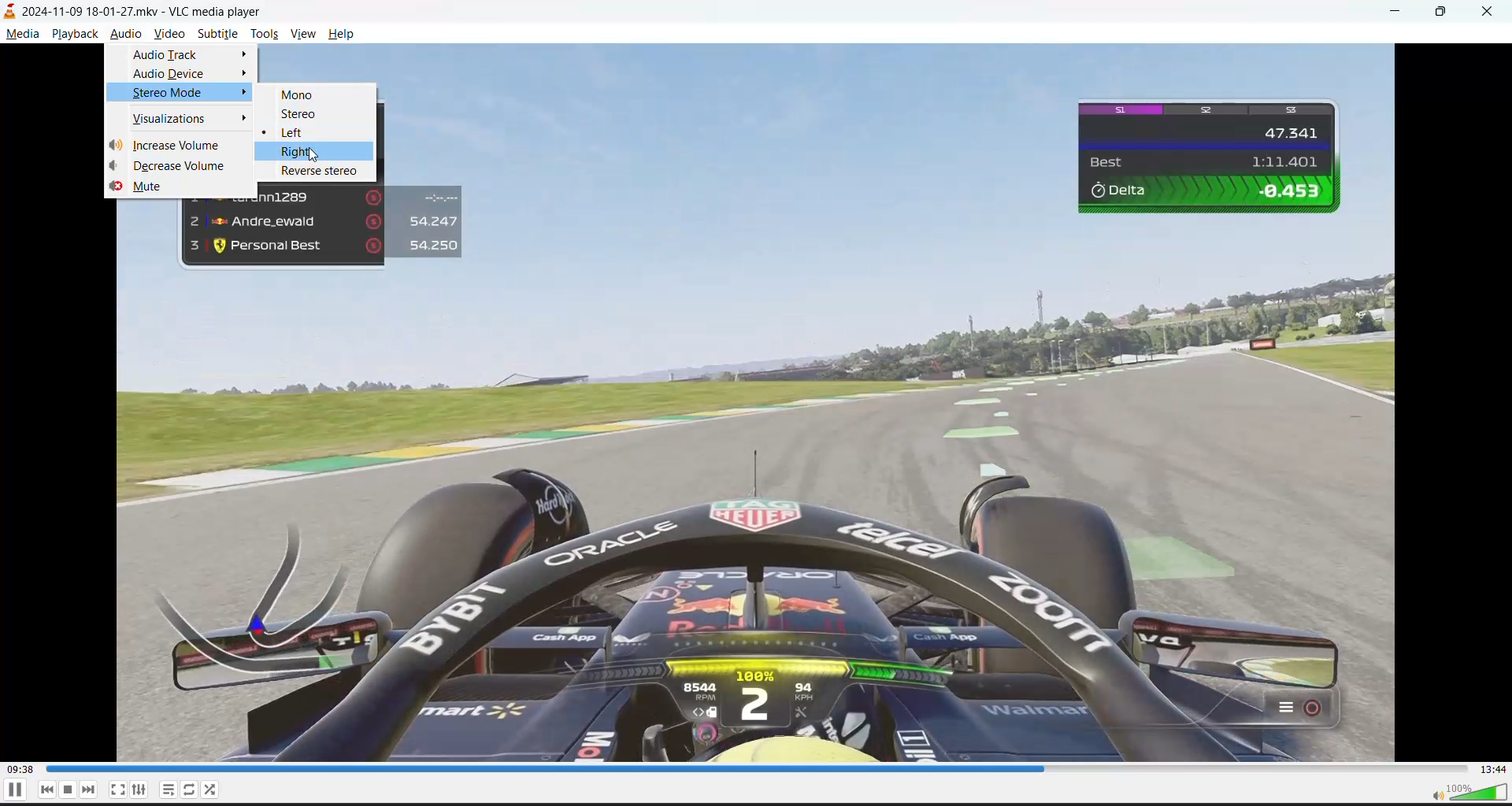 This screenshot has height=806, width=1512. I want to click on right, so click(316, 151).